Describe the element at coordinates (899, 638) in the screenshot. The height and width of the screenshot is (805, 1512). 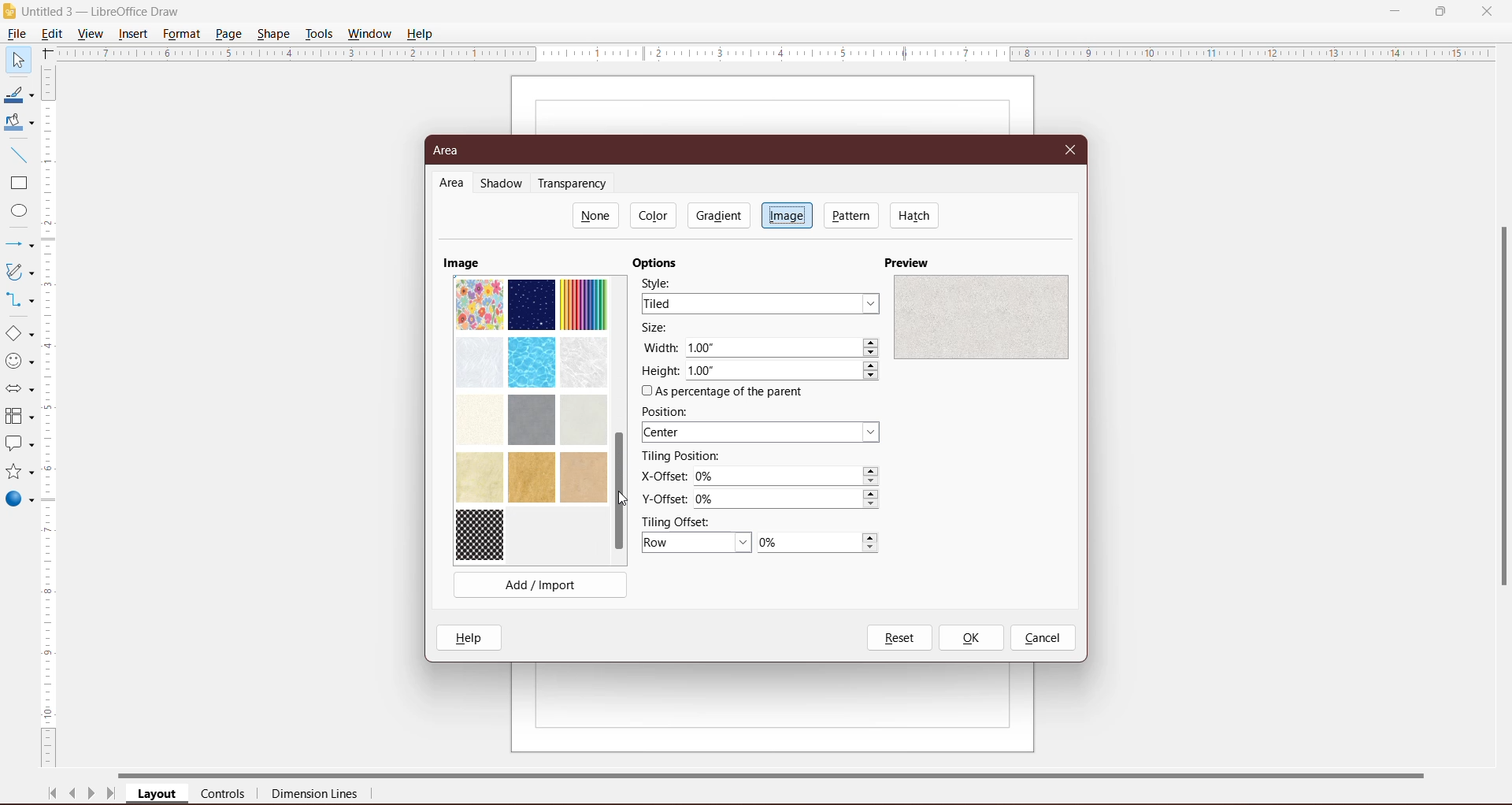
I see `Reset` at that location.